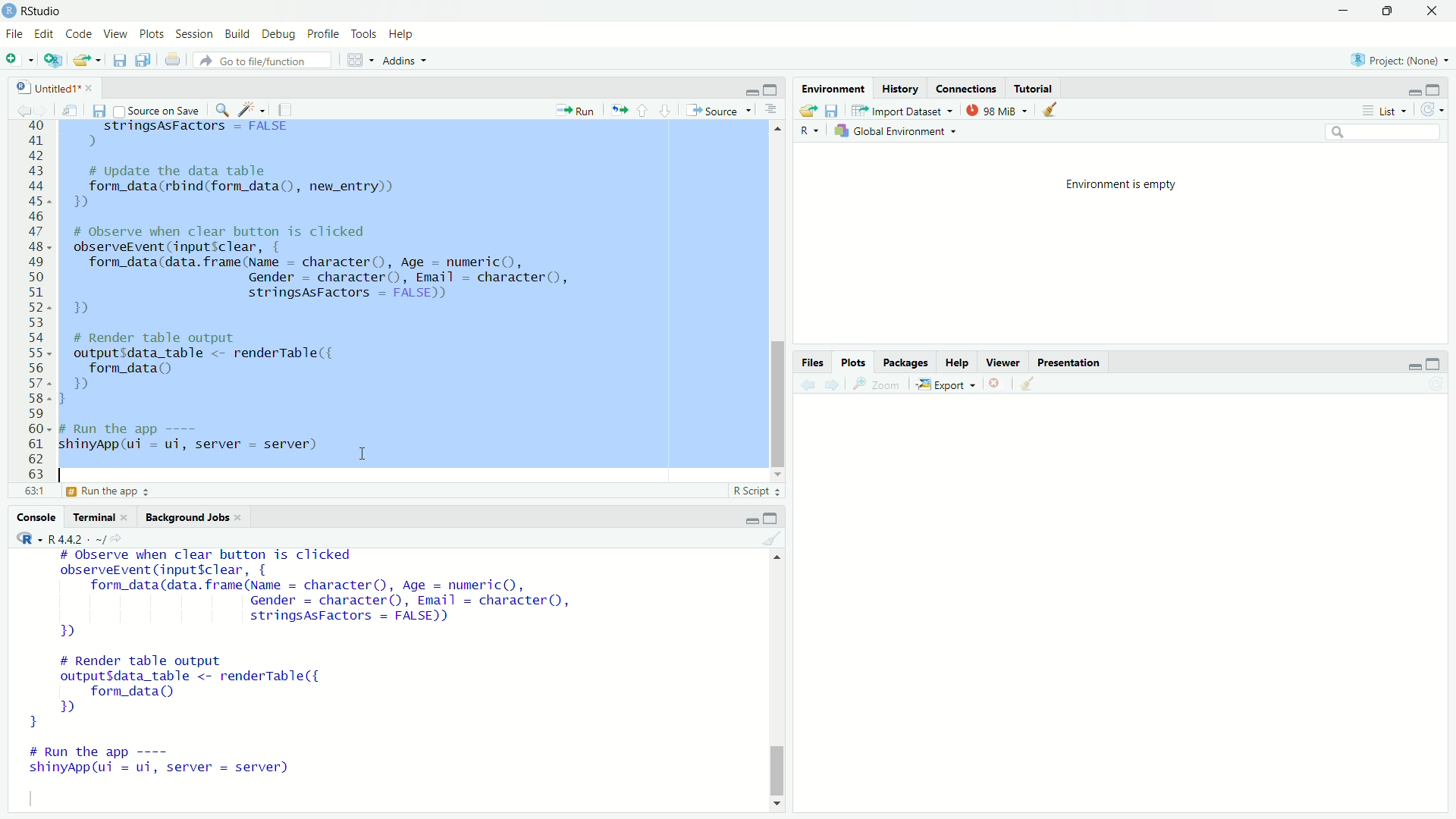  What do you see at coordinates (748, 89) in the screenshot?
I see `minimize` at bounding box center [748, 89].